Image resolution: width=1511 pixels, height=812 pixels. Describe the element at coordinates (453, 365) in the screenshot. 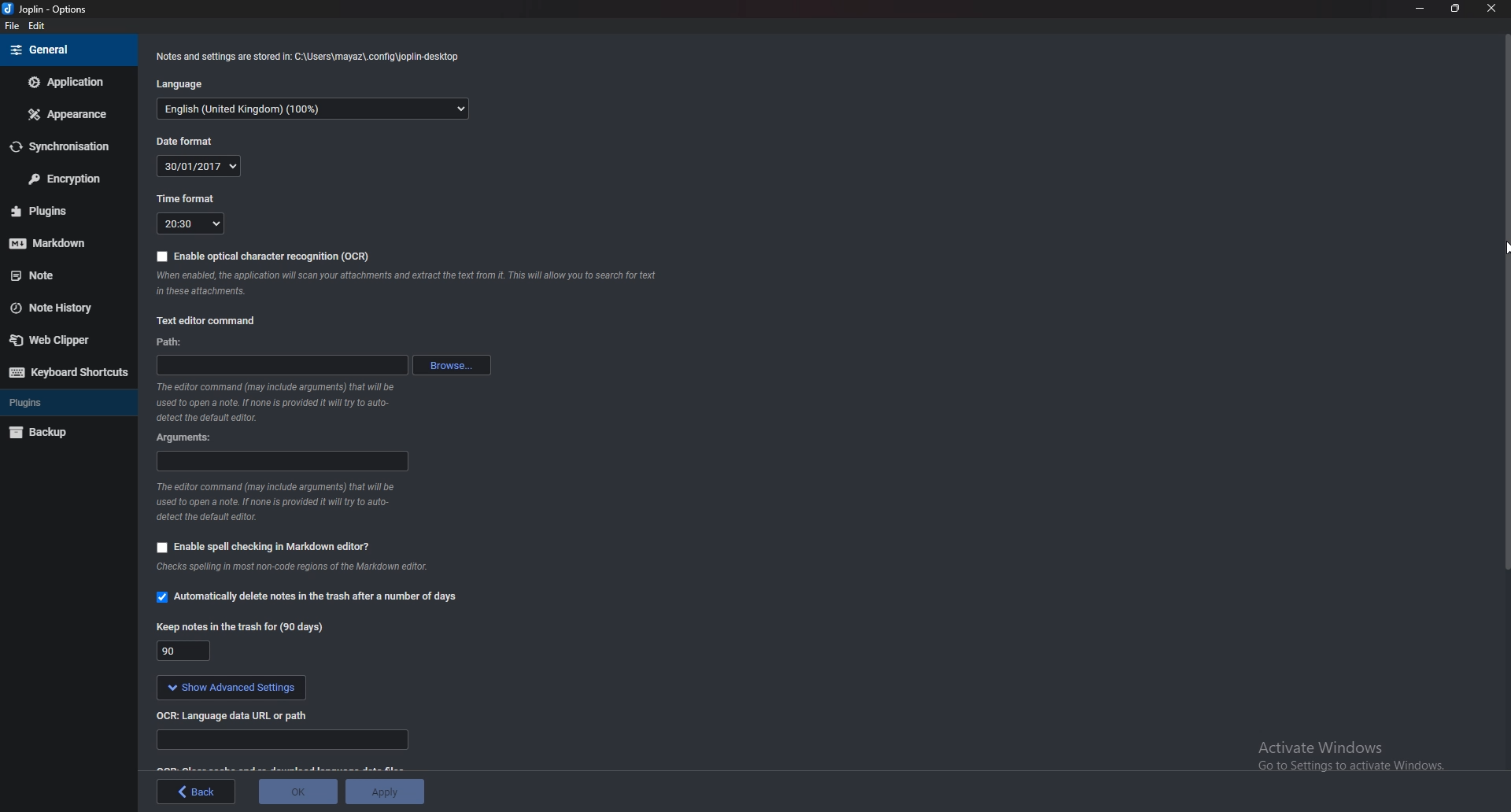

I see `browse` at that location.